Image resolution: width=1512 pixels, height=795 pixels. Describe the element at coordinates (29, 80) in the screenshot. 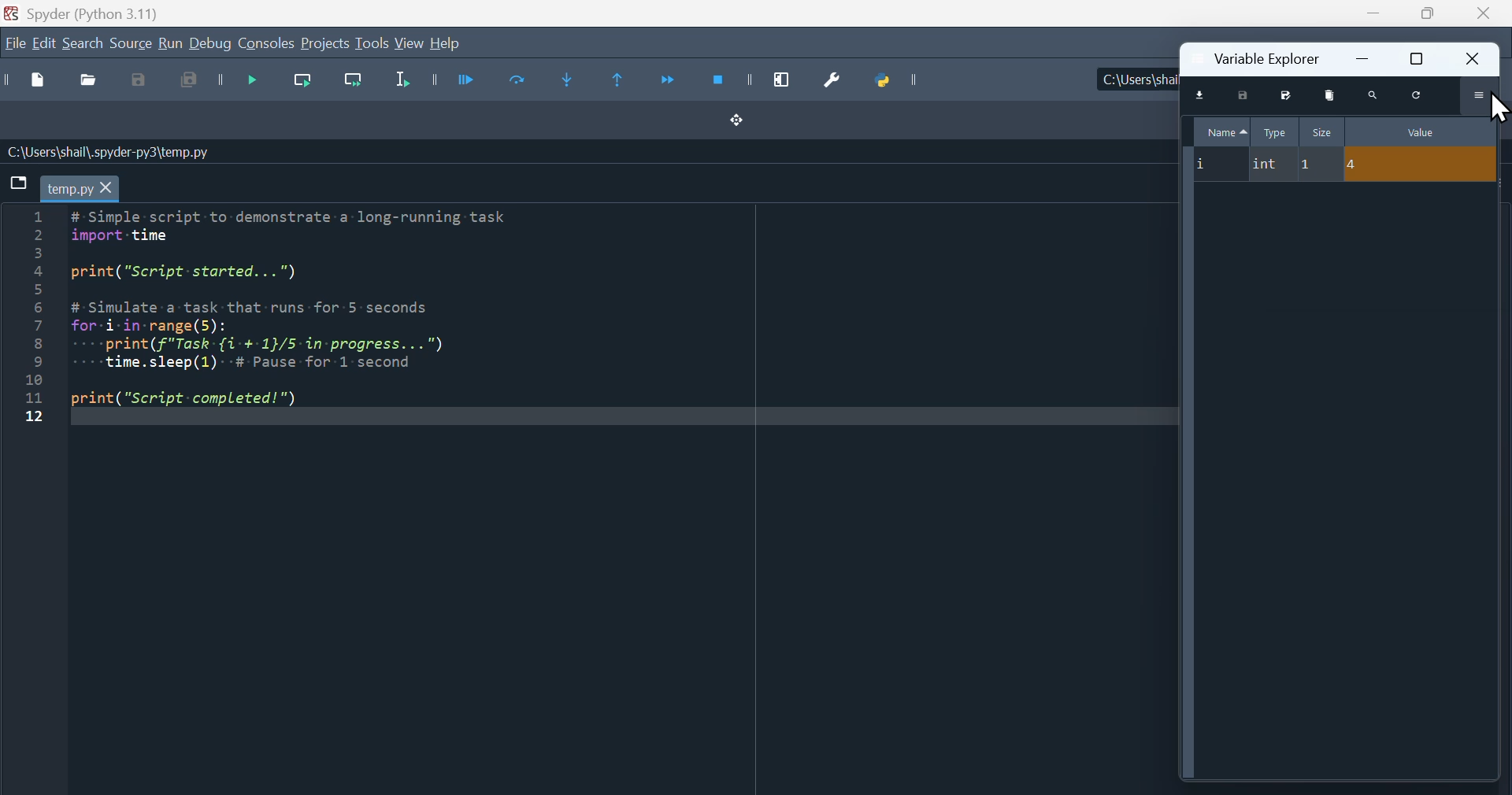

I see `New file` at that location.